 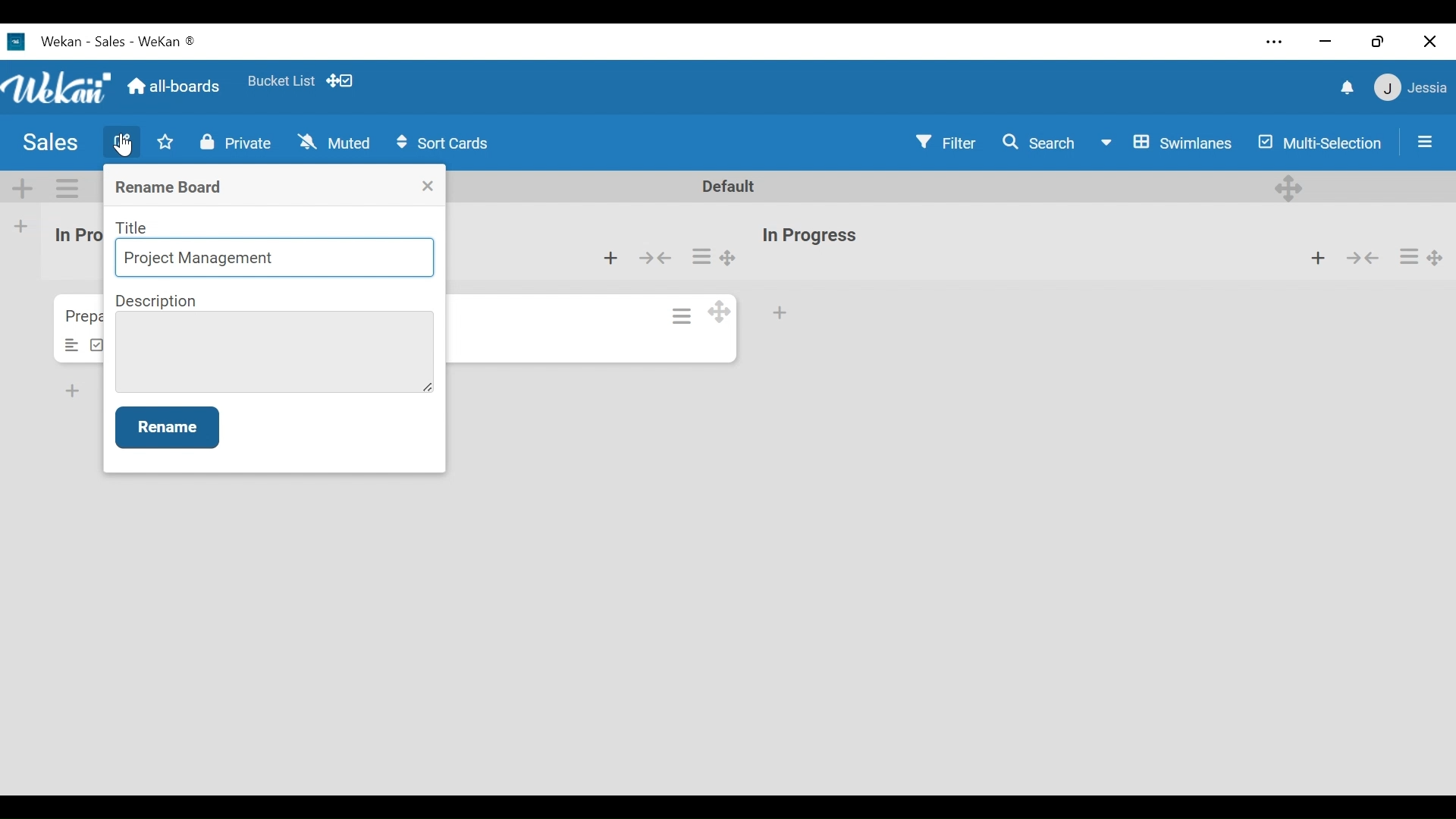 What do you see at coordinates (167, 427) in the screenshot?
I see `Rename` at bounding box center [167, 427].